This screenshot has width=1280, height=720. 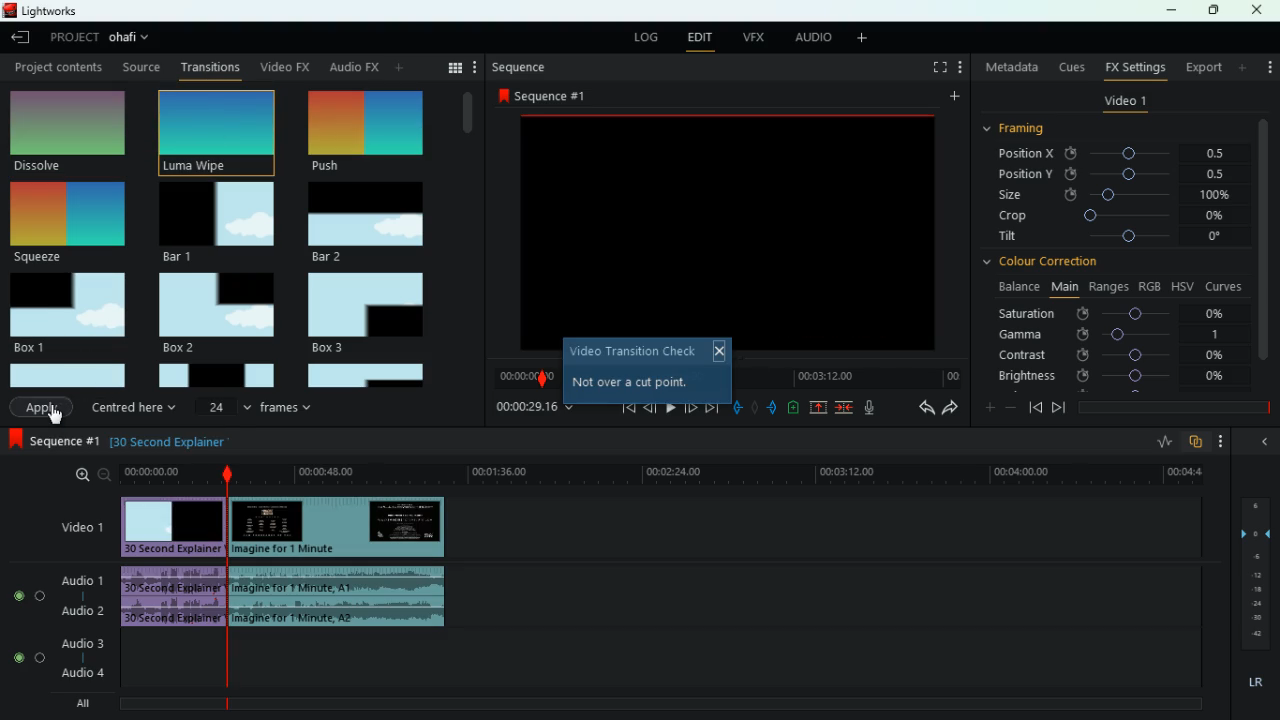 I want to click on log, so click(x=646, y=39).